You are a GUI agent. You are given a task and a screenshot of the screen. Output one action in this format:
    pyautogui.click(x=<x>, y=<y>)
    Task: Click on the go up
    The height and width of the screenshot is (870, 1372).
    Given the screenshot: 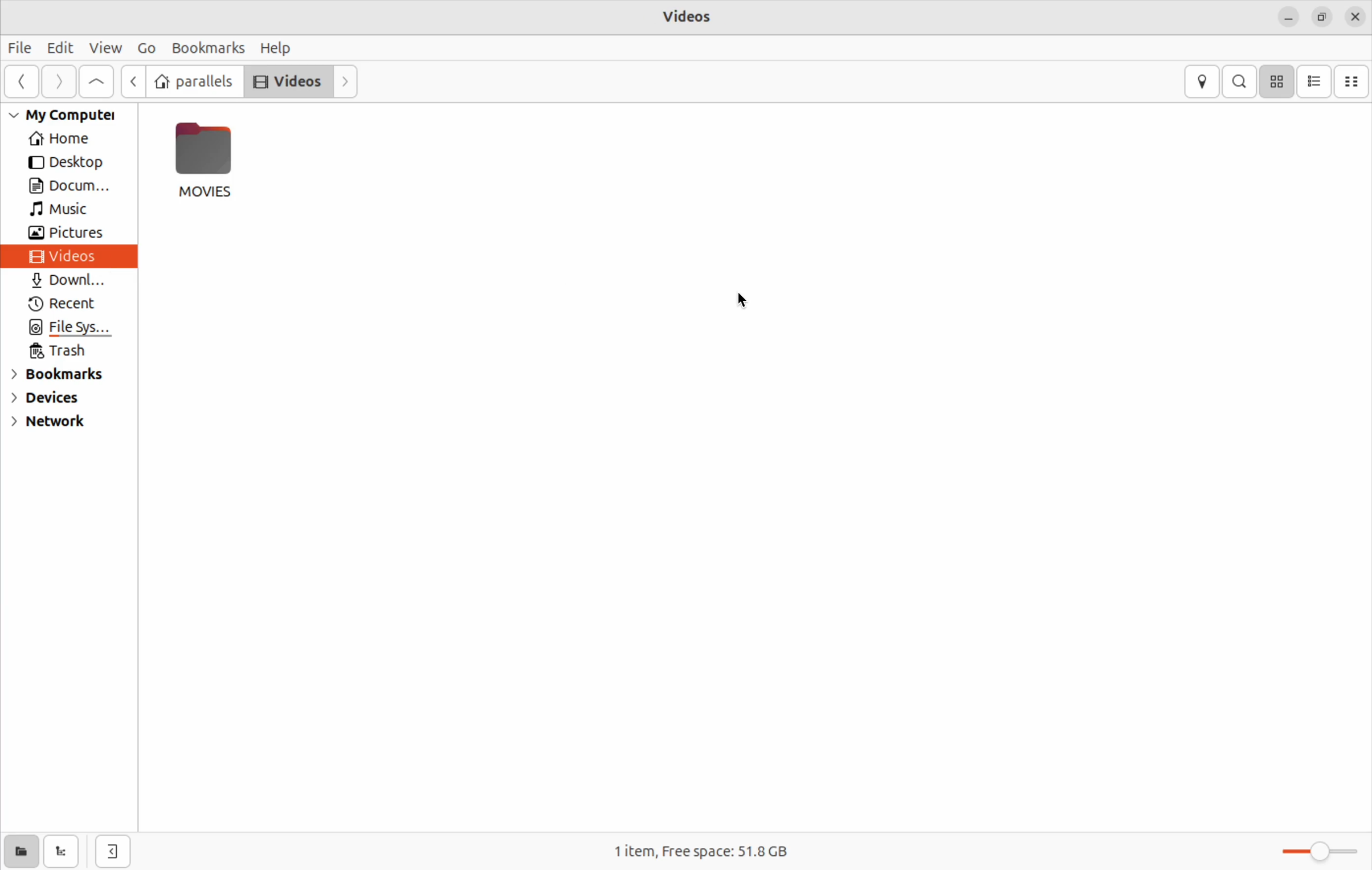 What is the action you would take?
    pyautogui.click(x=95, y=83)
    